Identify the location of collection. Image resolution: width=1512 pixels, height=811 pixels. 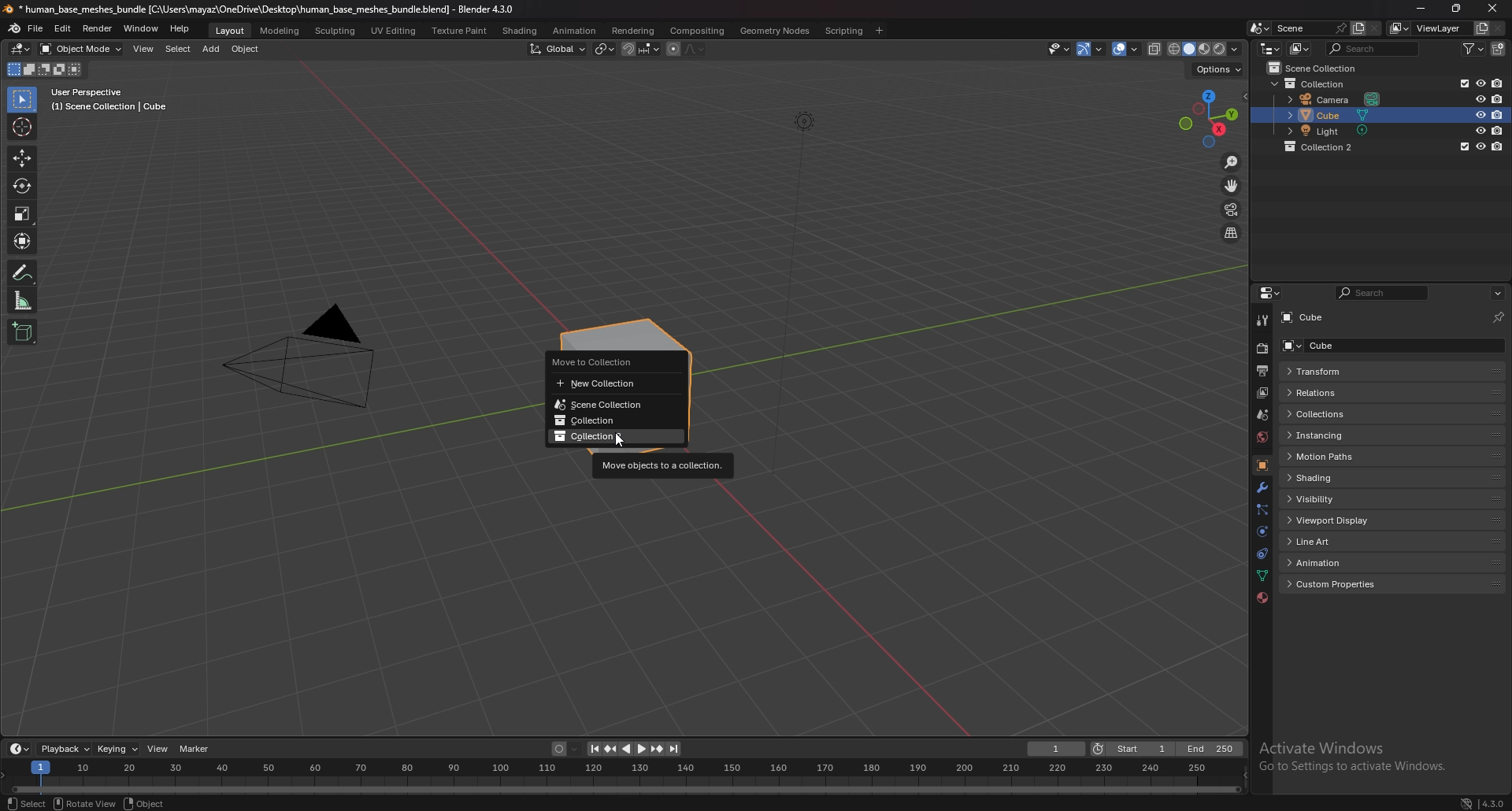
(1329, 146).